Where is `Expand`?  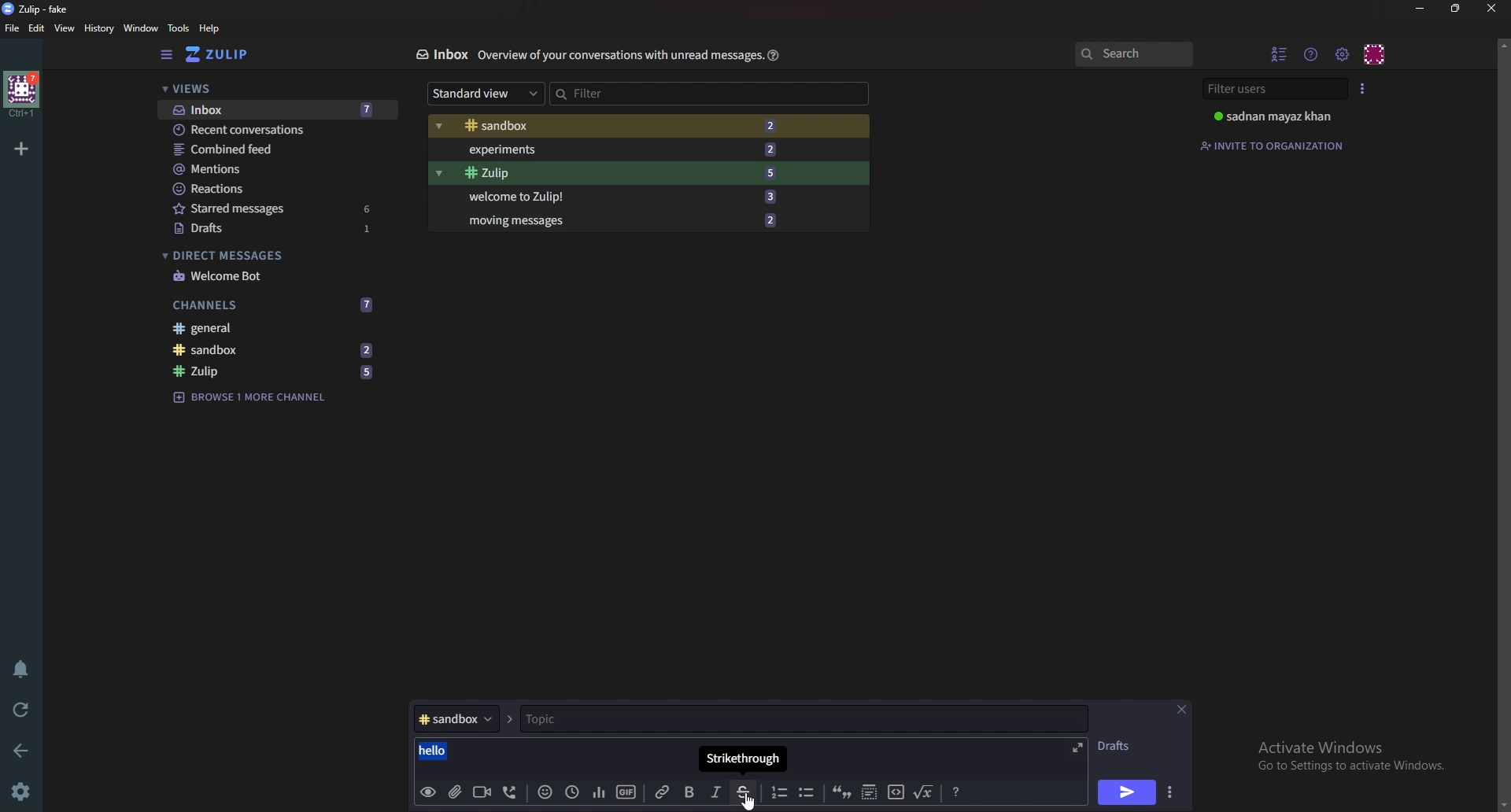
Expand is located at coordinates (1080, 746).